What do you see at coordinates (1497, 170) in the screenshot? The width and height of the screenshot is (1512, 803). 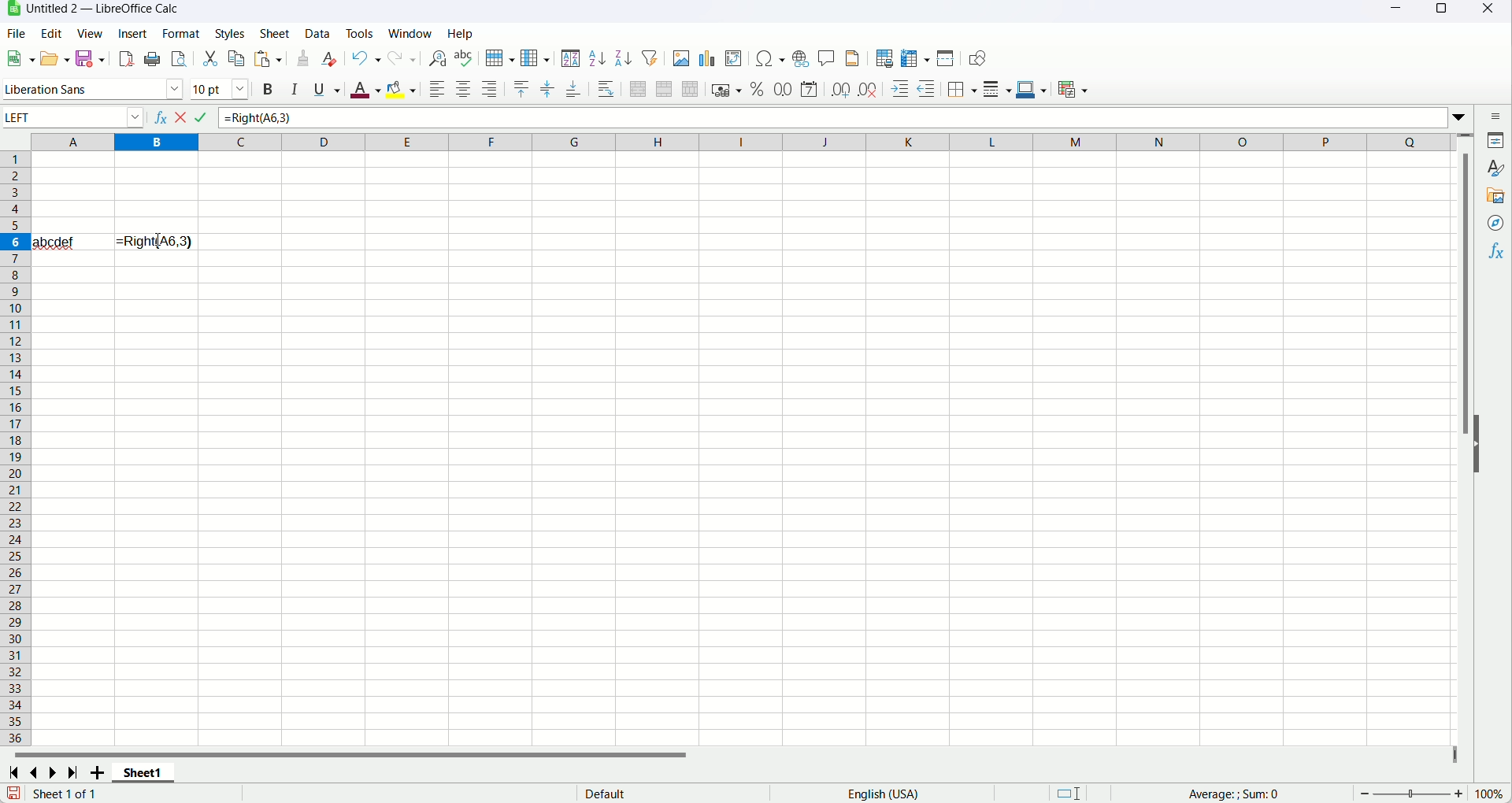 I see `styles` at bounding box center [1497, 170].